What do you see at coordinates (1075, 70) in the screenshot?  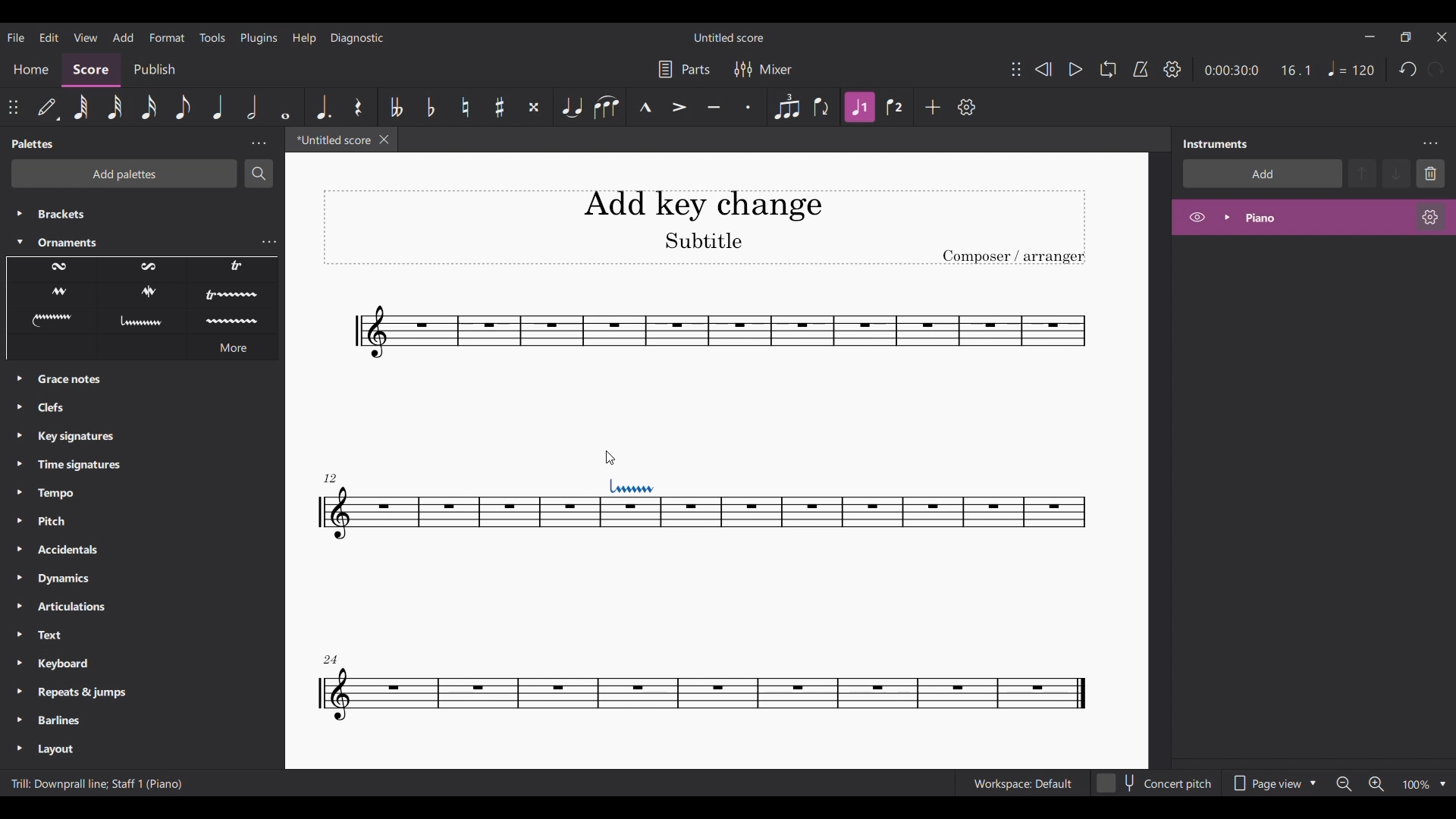 I see `Play` at bounding box center [1075, 70].